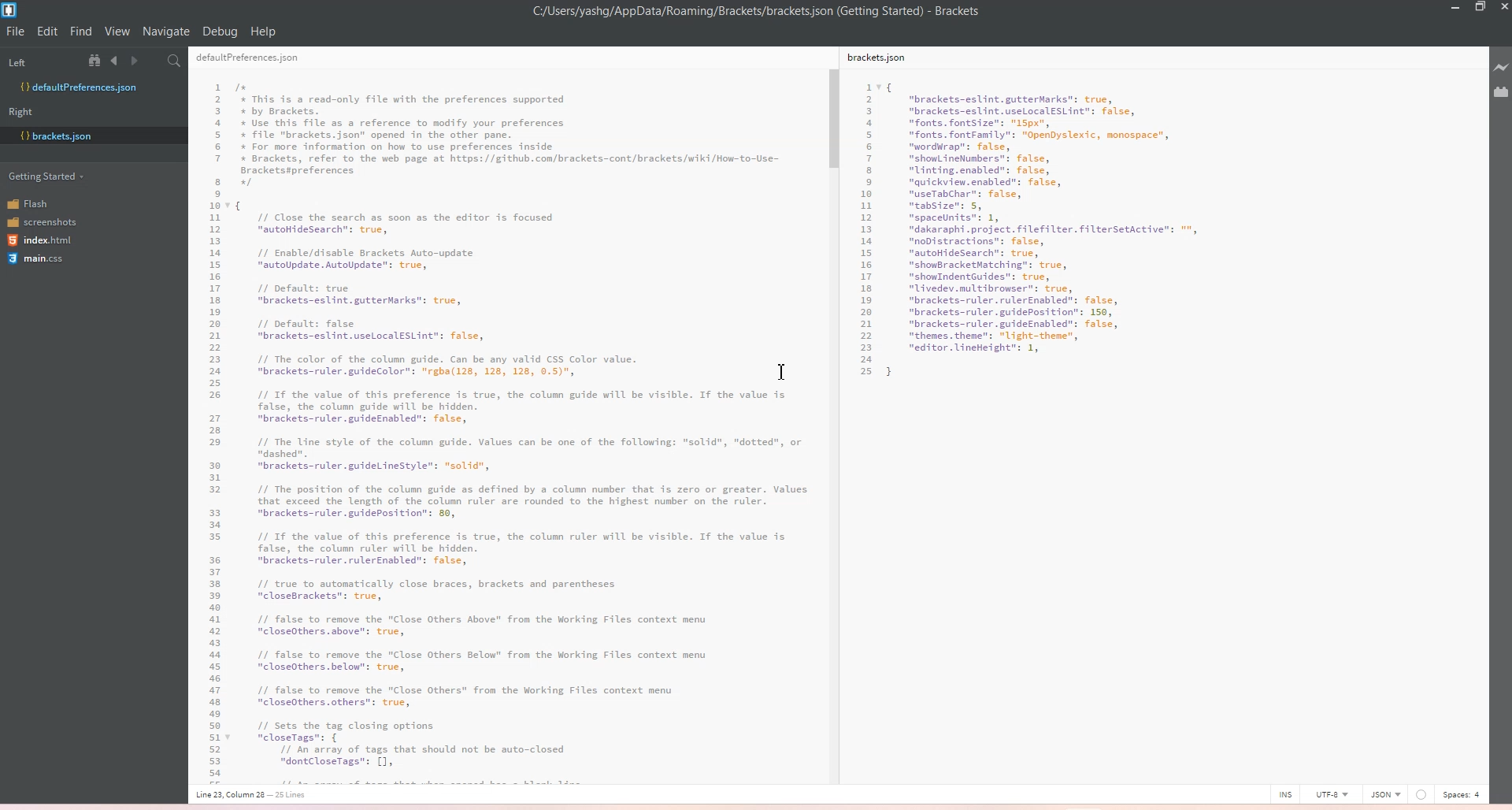 The image size is (1512, 810). Describe the element at coordinates (257, 60) in the screenshot. I see `defaultPreferences.json` at that location.